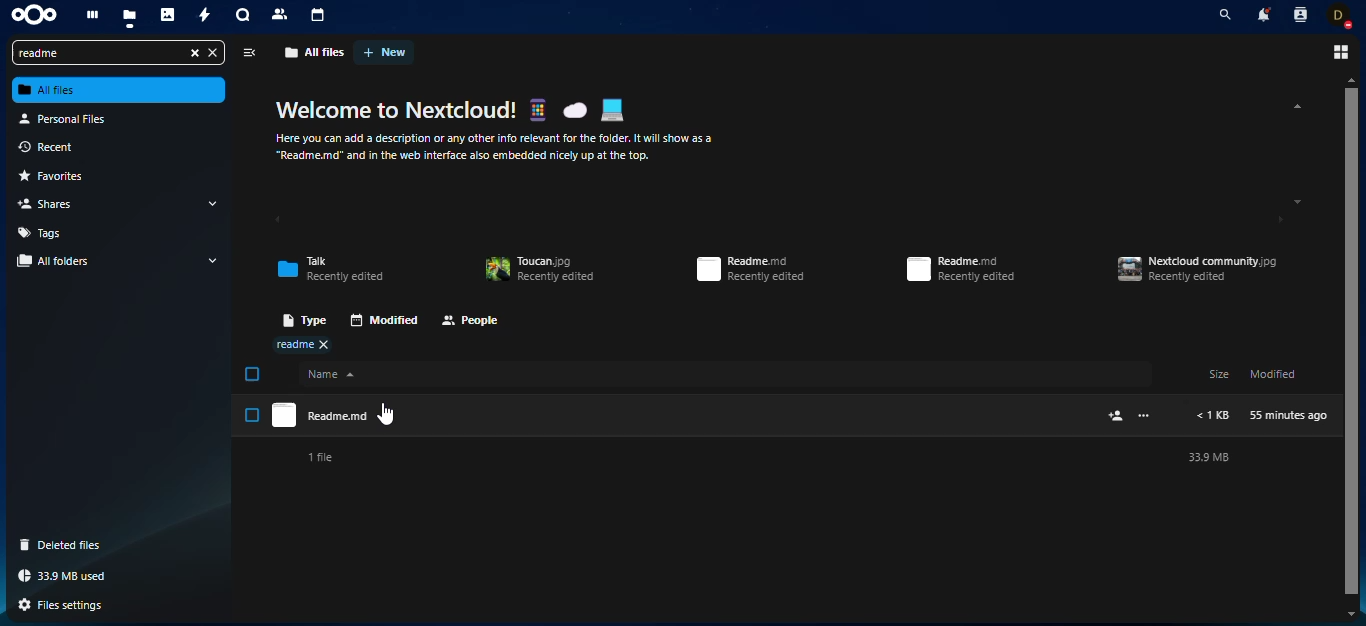 The height and width of the screenshot is (626, 1366). Describe the element at coordinates (1208, 457) in the screenshot. I see `339M8` at that location.